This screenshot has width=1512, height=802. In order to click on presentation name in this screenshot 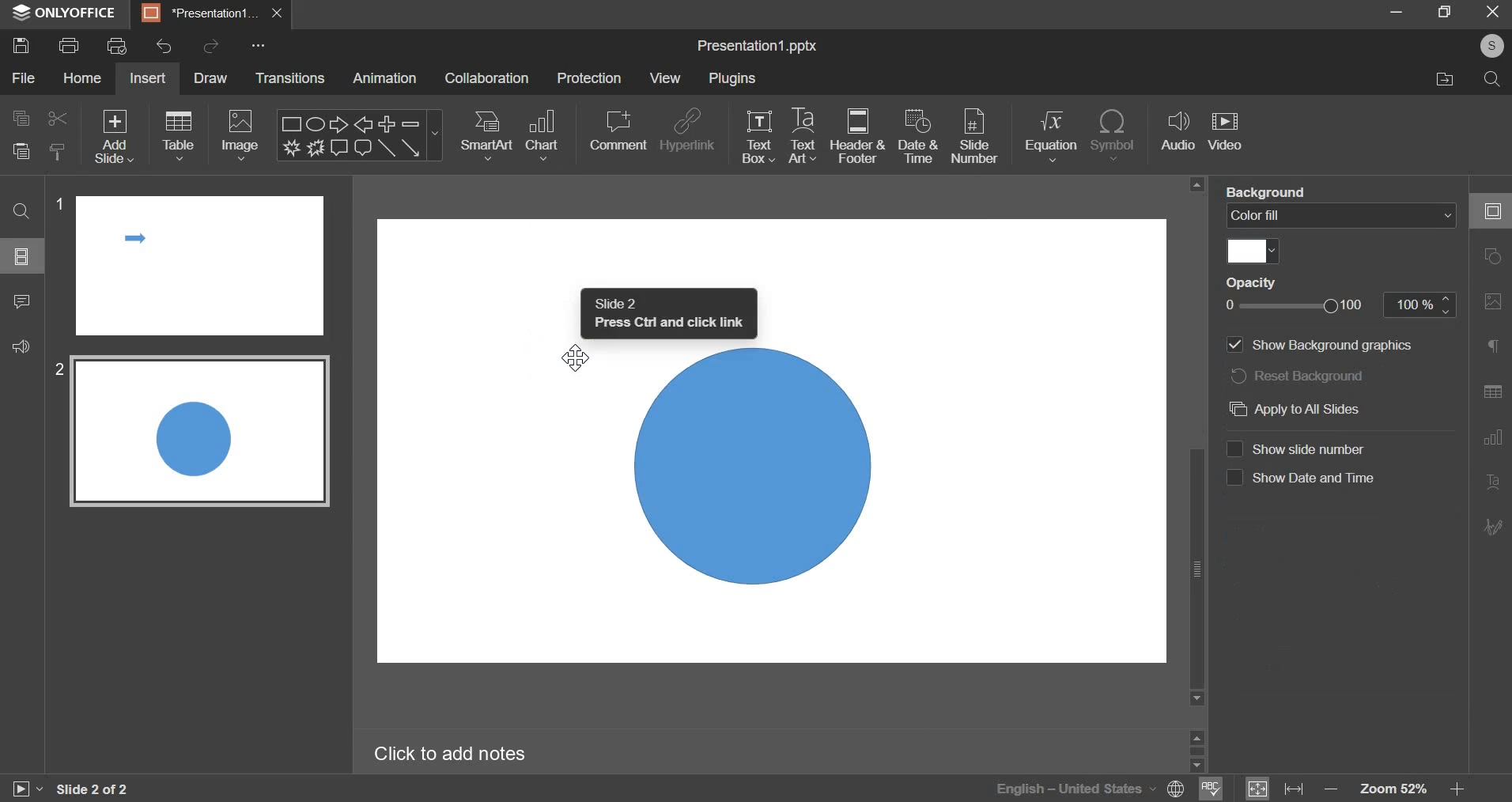, I will do `click(759, 46)`.